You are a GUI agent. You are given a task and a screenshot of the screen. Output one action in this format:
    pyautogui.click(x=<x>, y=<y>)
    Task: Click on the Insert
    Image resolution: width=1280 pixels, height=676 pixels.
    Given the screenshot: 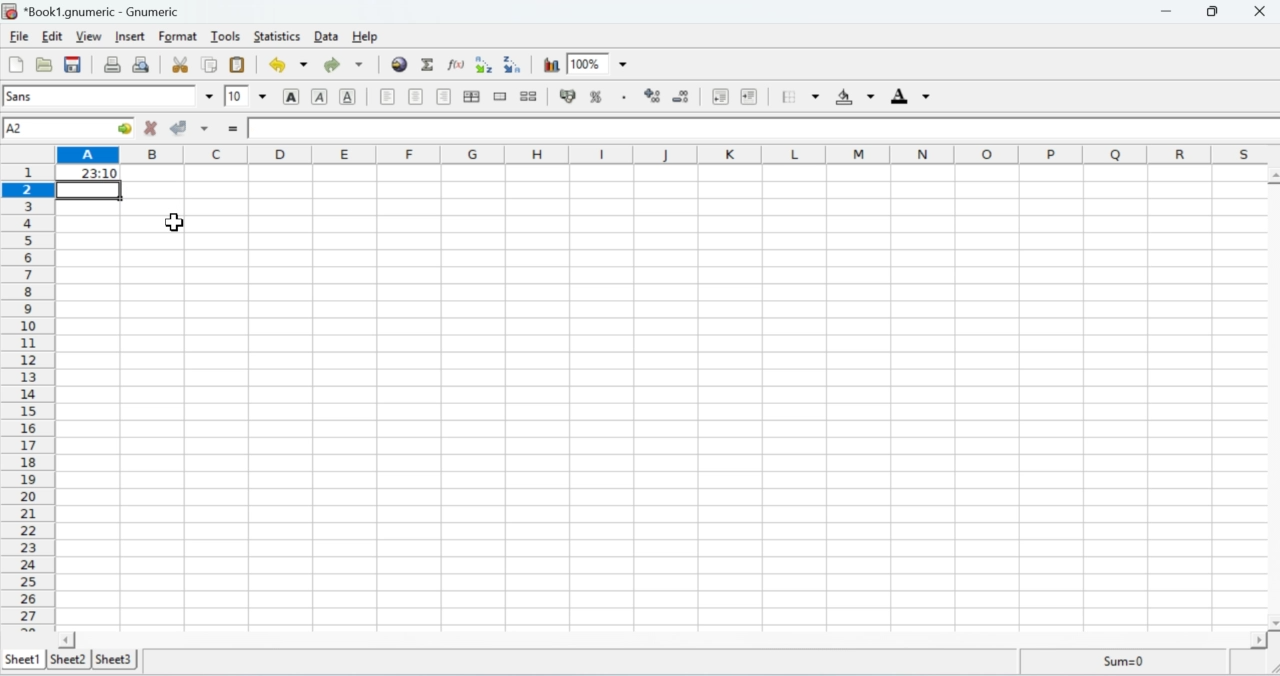 What is the action you would take?
    pyautogui.click(x=131, y=38)
    